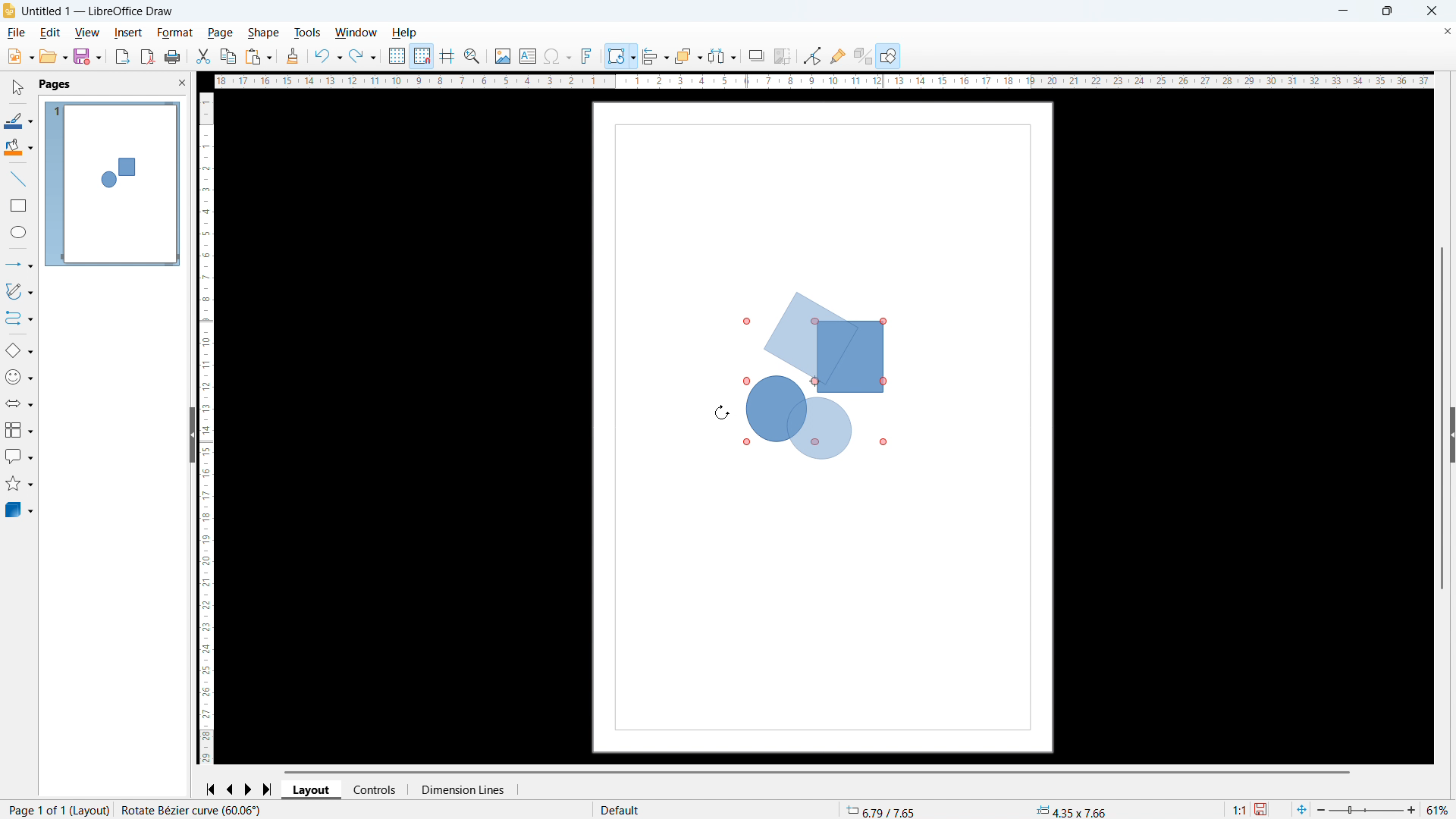 This screenshot has height=819, width=1456. Describe the element at coordinates (89, 57) in the screenshot. I see `save ` at that location.